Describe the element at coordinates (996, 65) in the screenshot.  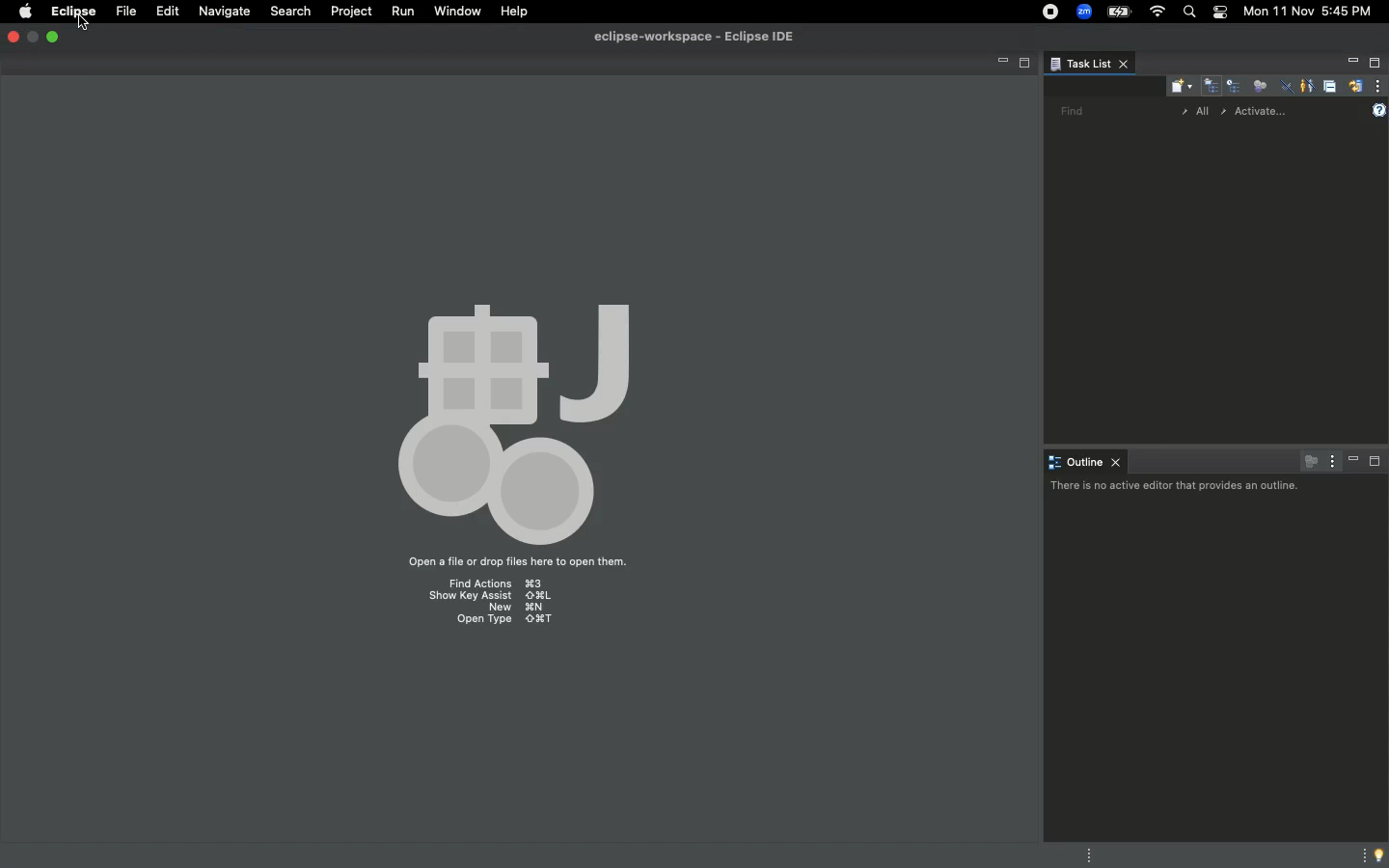
I see `Minimize` at that location.